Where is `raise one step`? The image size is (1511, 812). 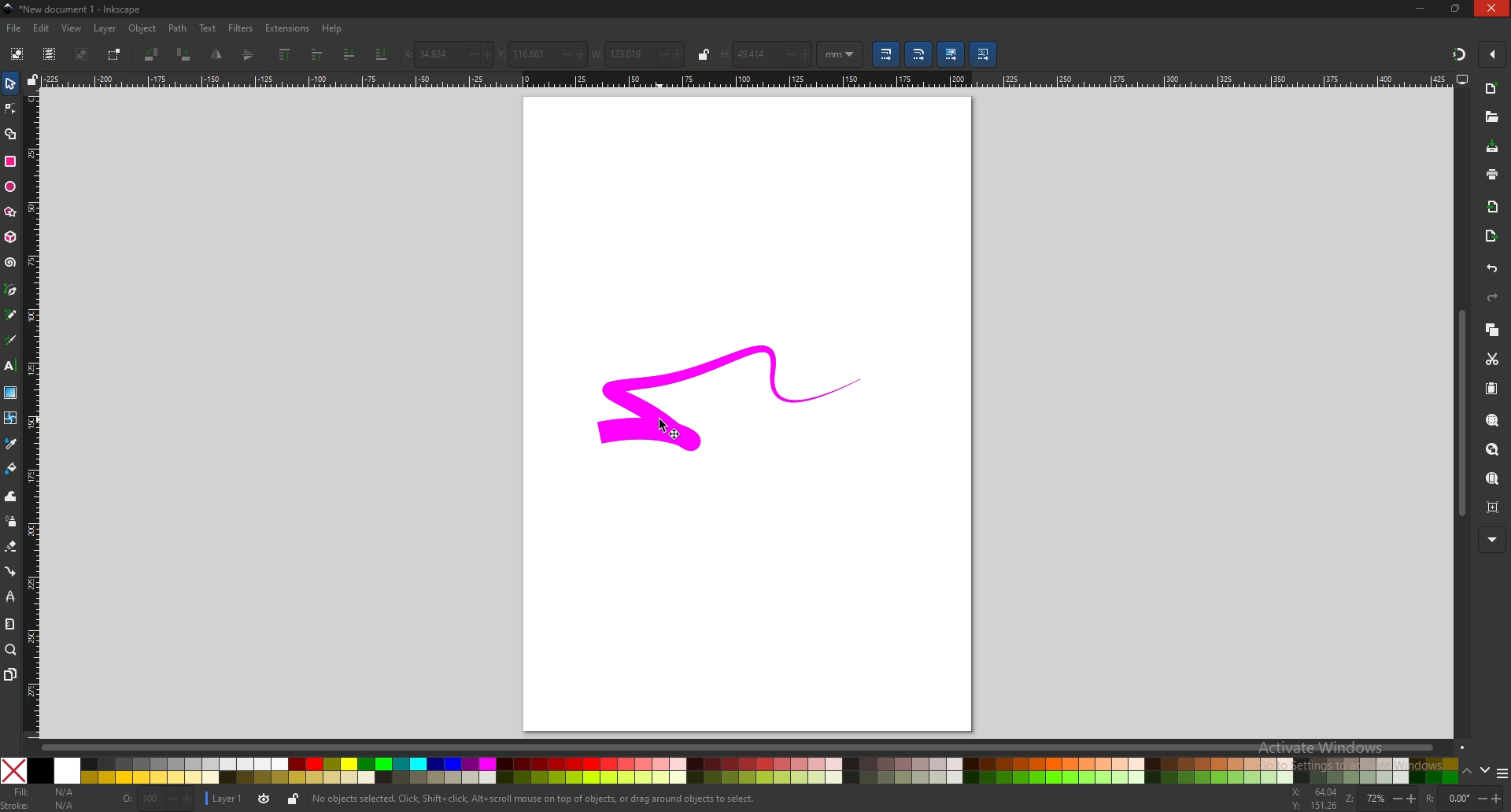
raise one step is located at coordinates (316, 55).